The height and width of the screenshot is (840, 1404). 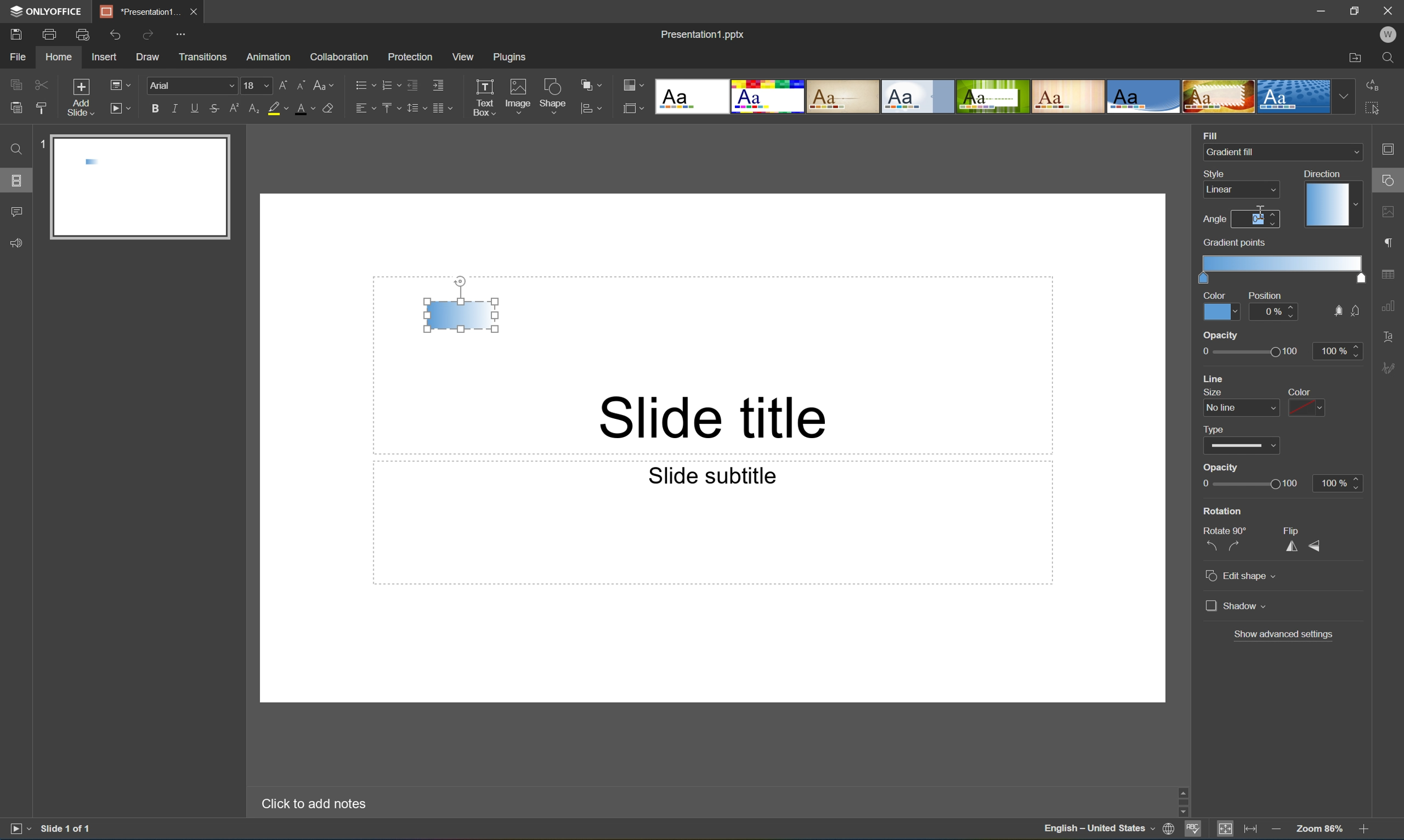 What do you see at coordinates (409, 56) in the screenshot?
I see `Protection` at bounding box center [409, 56].